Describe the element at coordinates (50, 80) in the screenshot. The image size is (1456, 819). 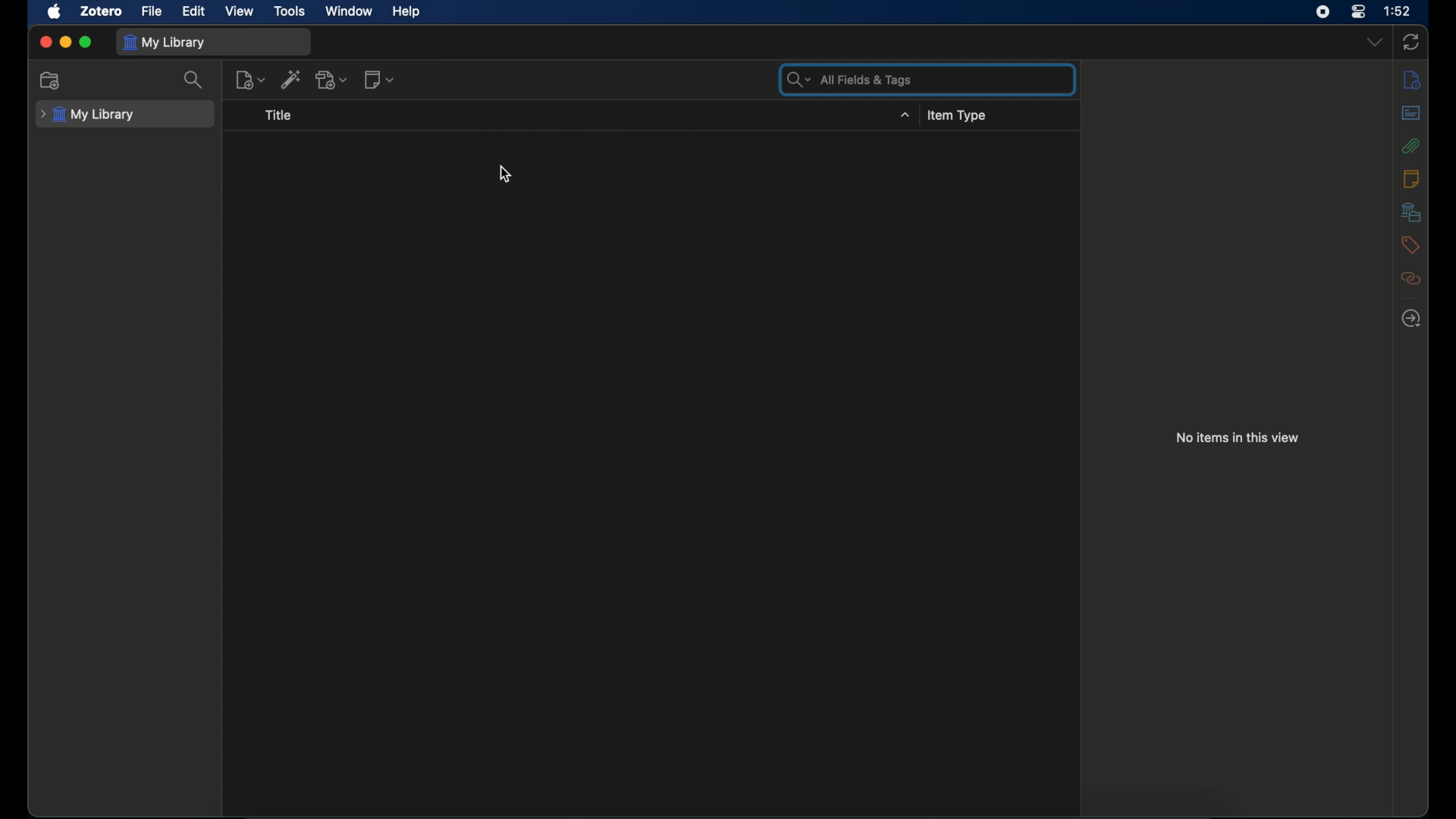
I see `new collection` at that location.